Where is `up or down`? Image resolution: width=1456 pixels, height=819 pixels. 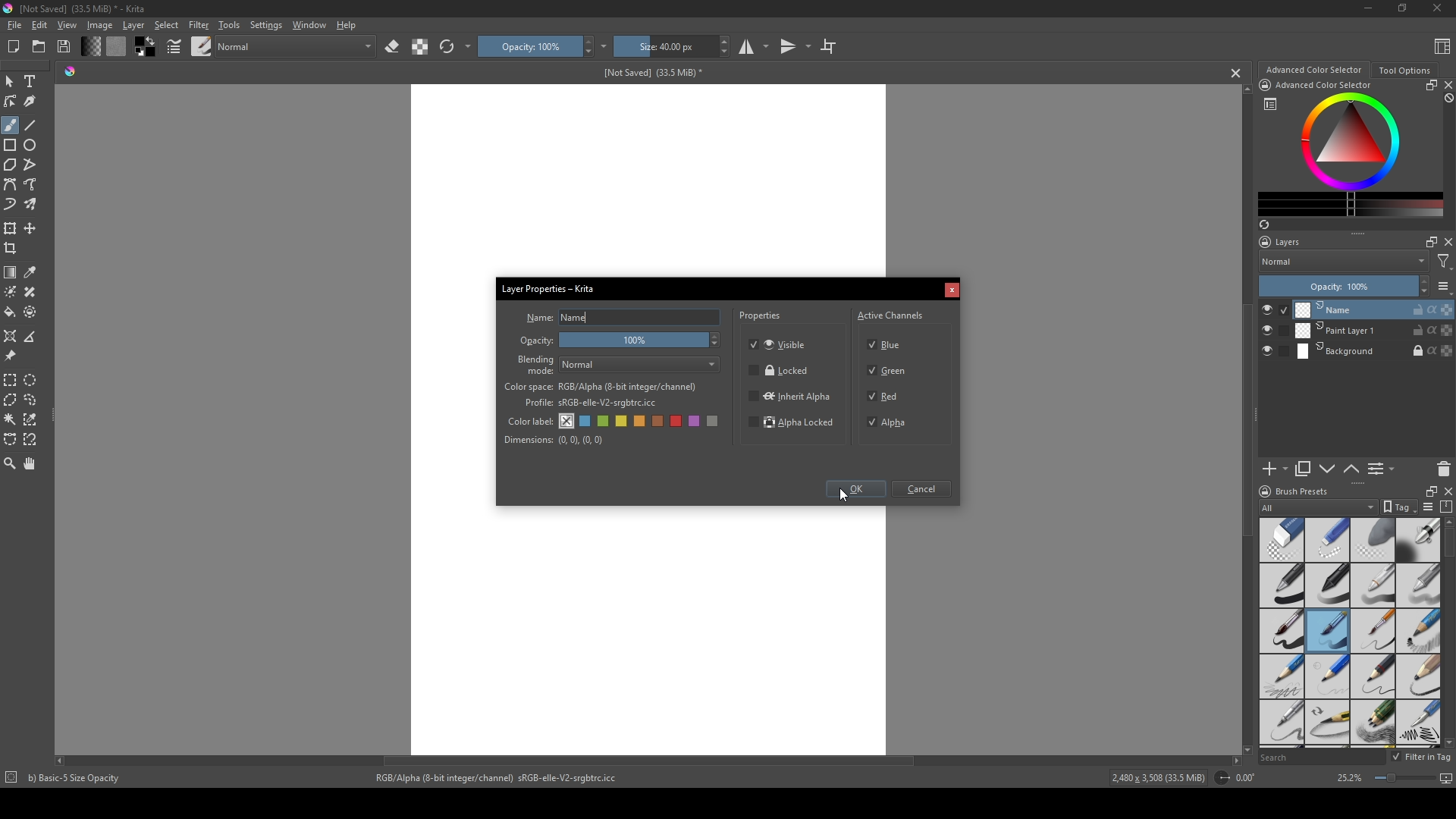
up or down is located at coordinates (1352, 469).